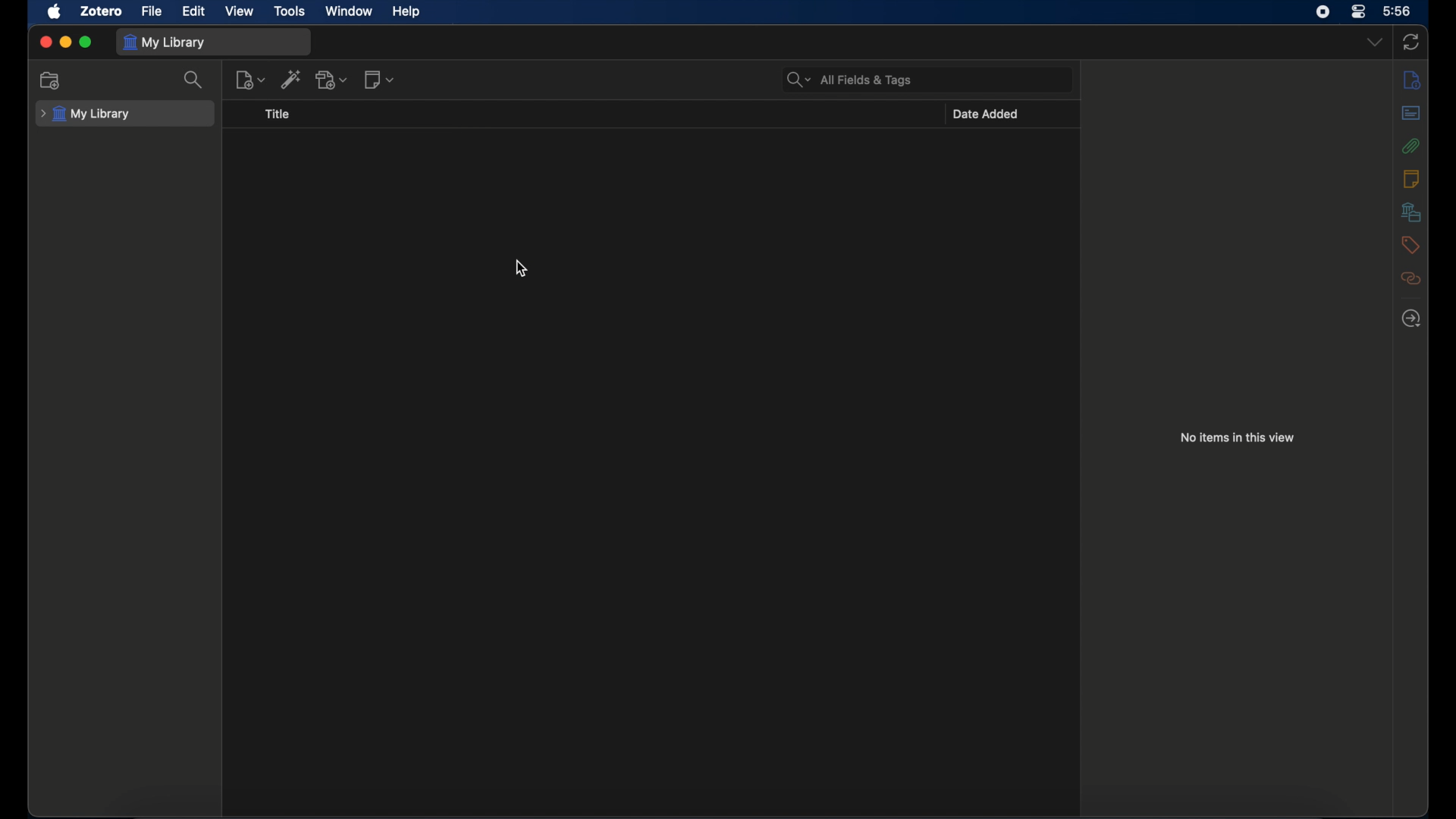 This screenshot has height=819, width=1456. I want to click on file, so click(153, 11).